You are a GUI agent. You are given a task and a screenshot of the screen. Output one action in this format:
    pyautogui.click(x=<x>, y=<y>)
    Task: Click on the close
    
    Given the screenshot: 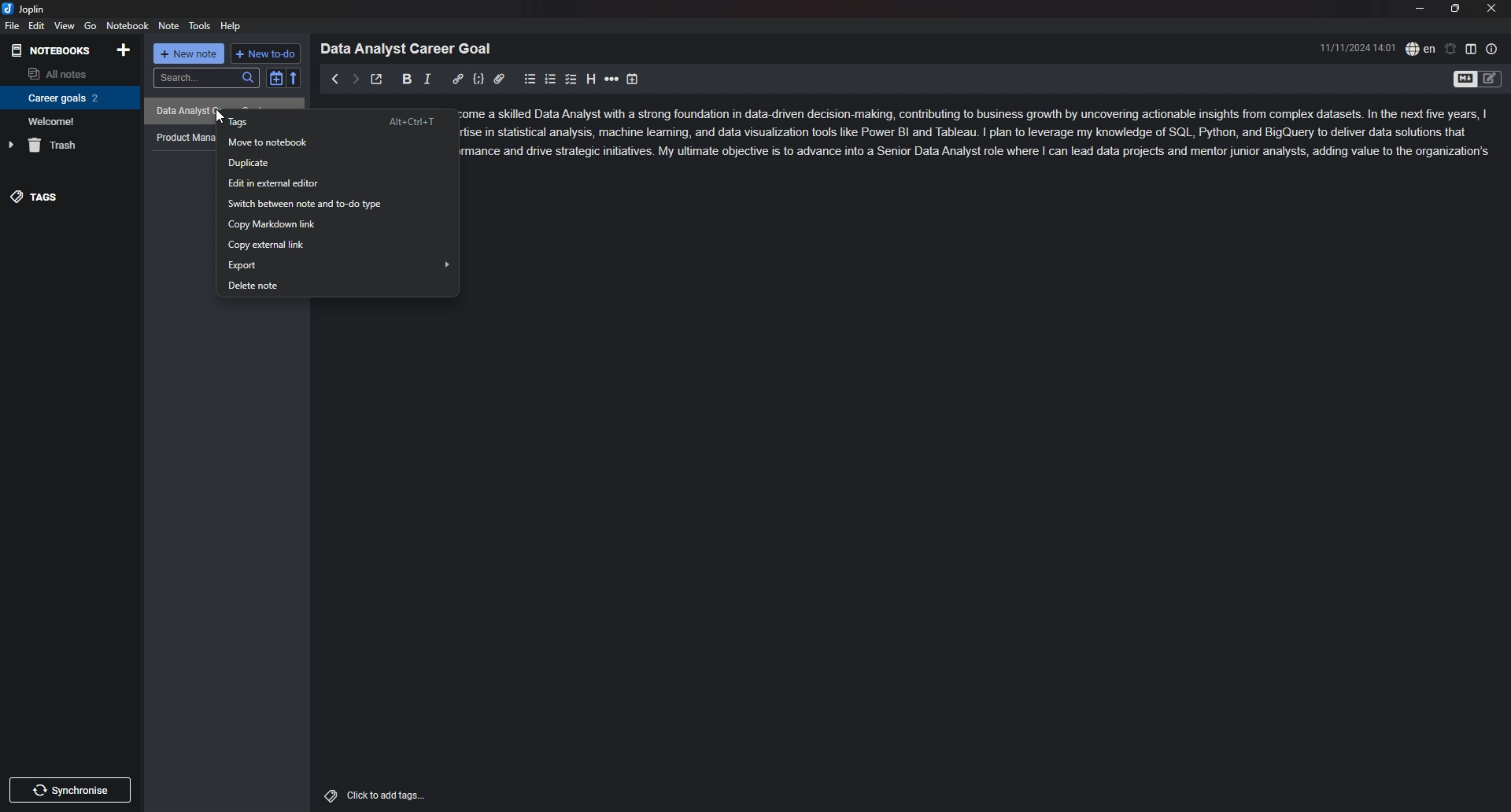 What is the action you would take?
    pyautogui.click(x=1491, y=8)
    